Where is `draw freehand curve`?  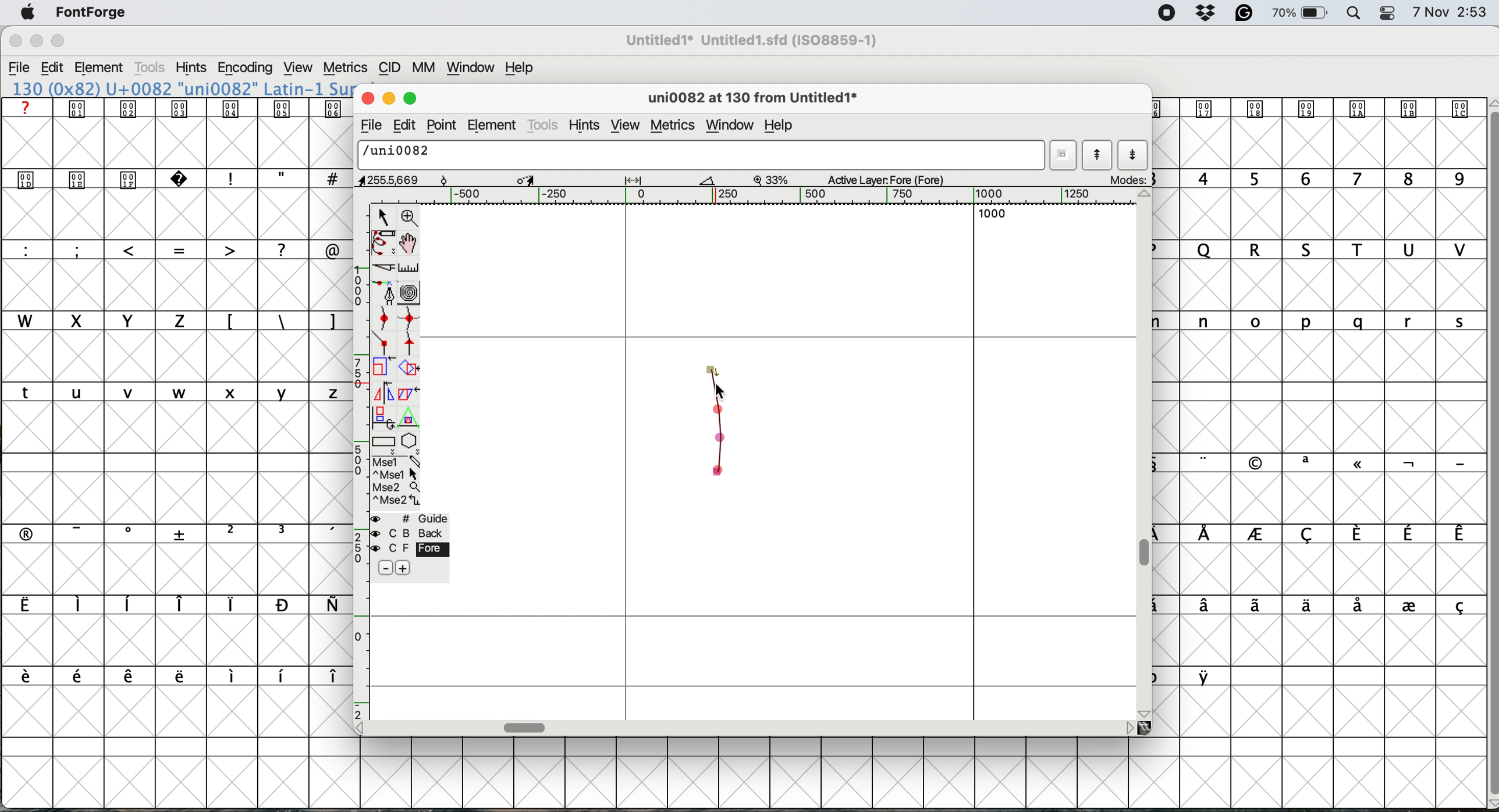 draw freehand curve is located at coordinates (382, 243).